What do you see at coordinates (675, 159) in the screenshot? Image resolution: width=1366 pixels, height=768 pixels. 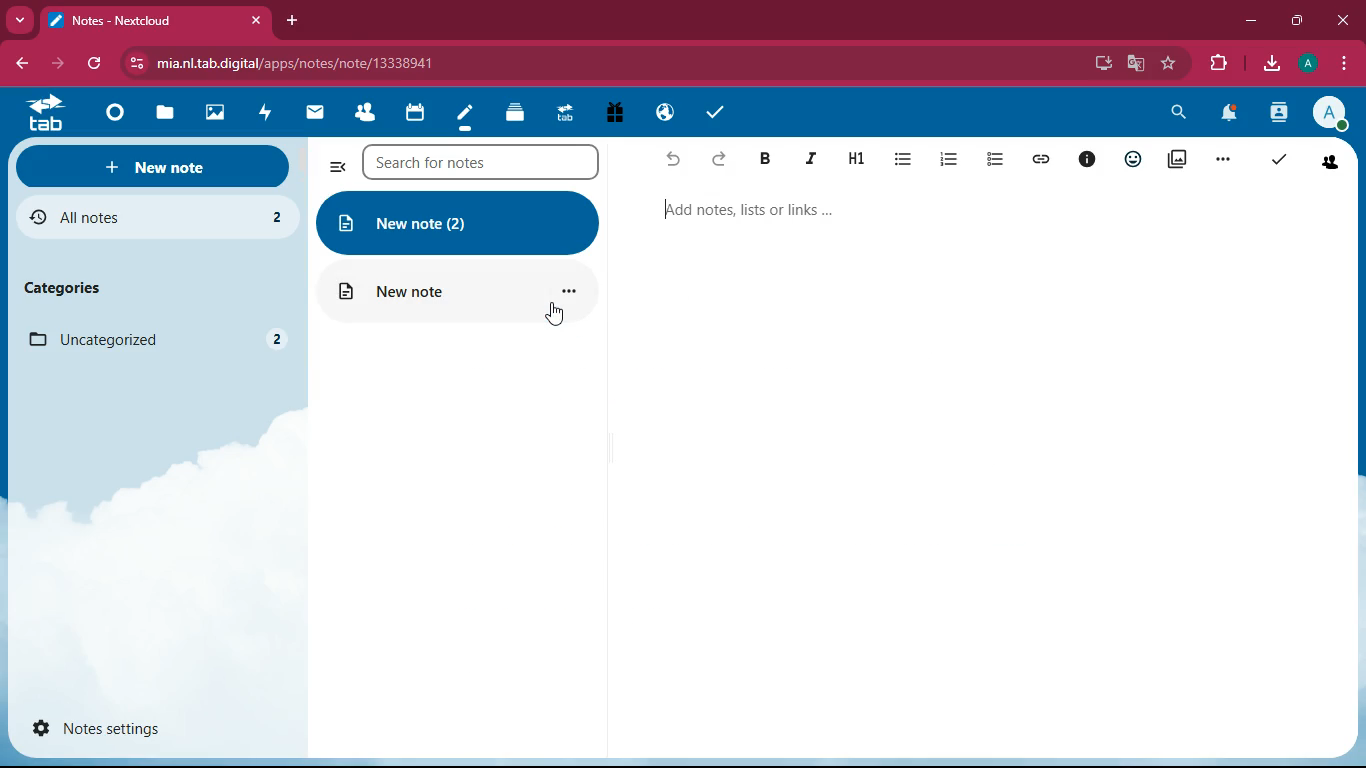 I see `back` at bounding box center [675, 159].